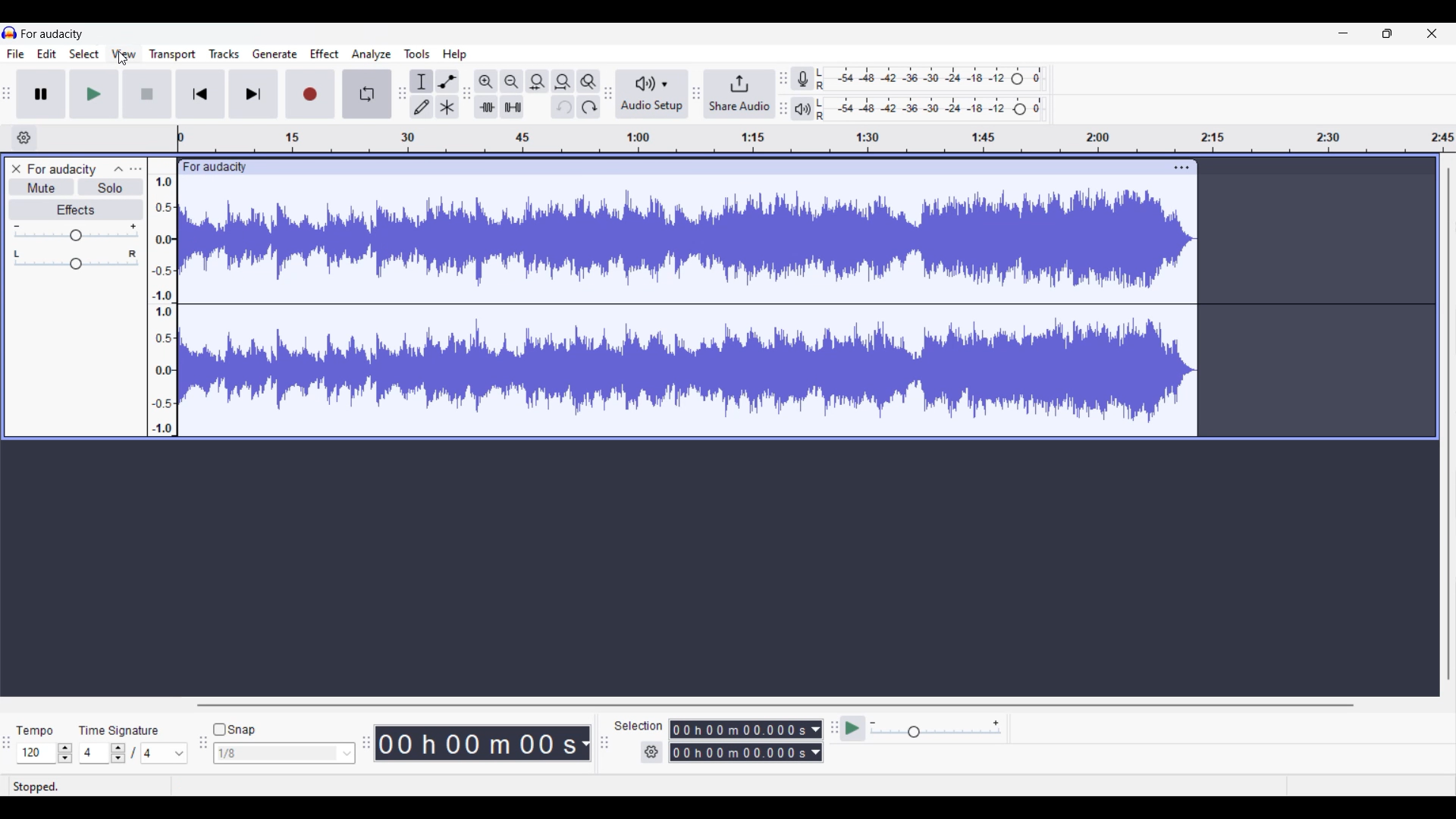  I want to click on Enable looping, so click(367, 94).